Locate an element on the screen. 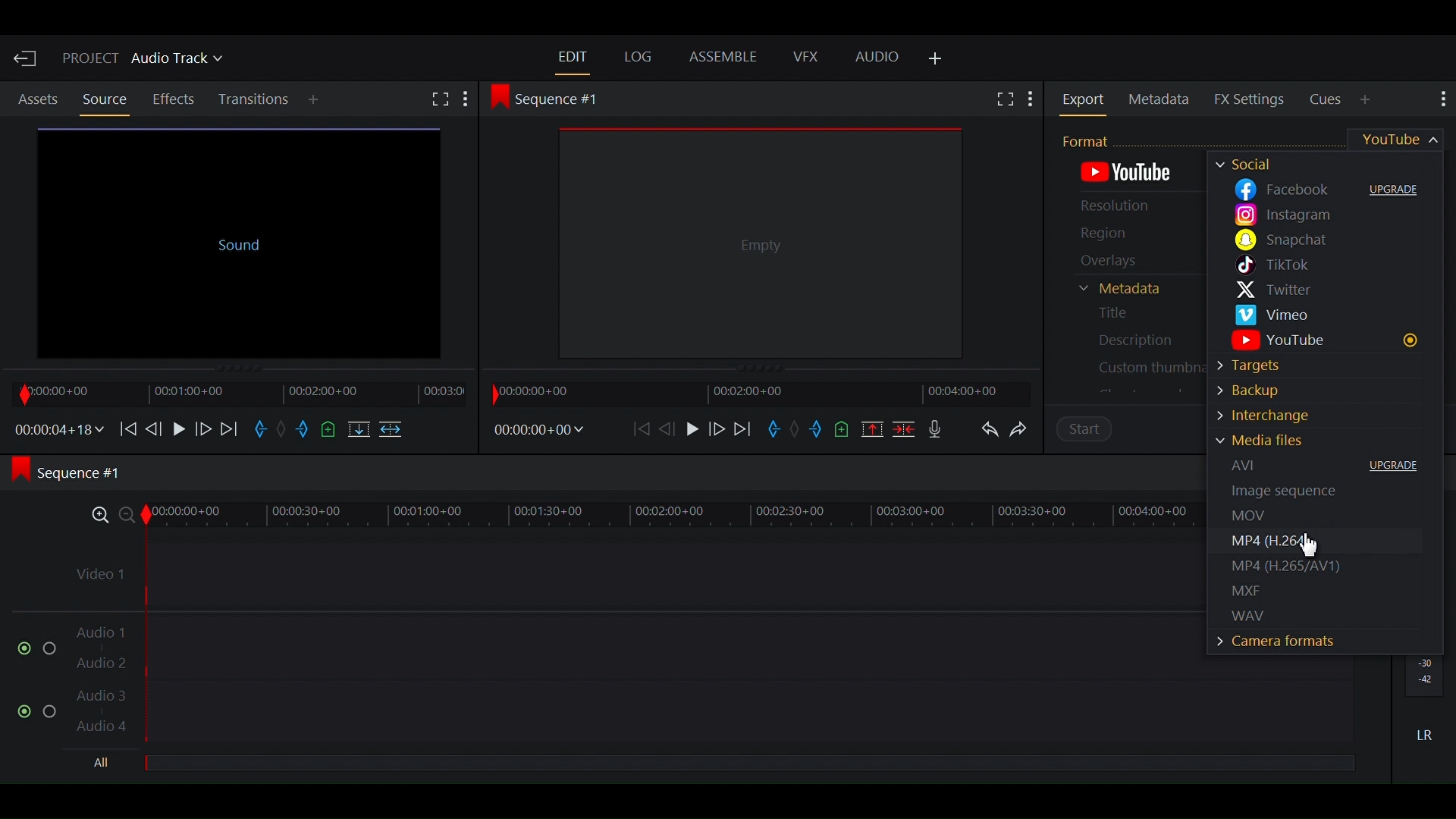 Image resolution: width=1456 pixels, height=819 pixels. Project Audio Track is located at coordinates (144, 61).